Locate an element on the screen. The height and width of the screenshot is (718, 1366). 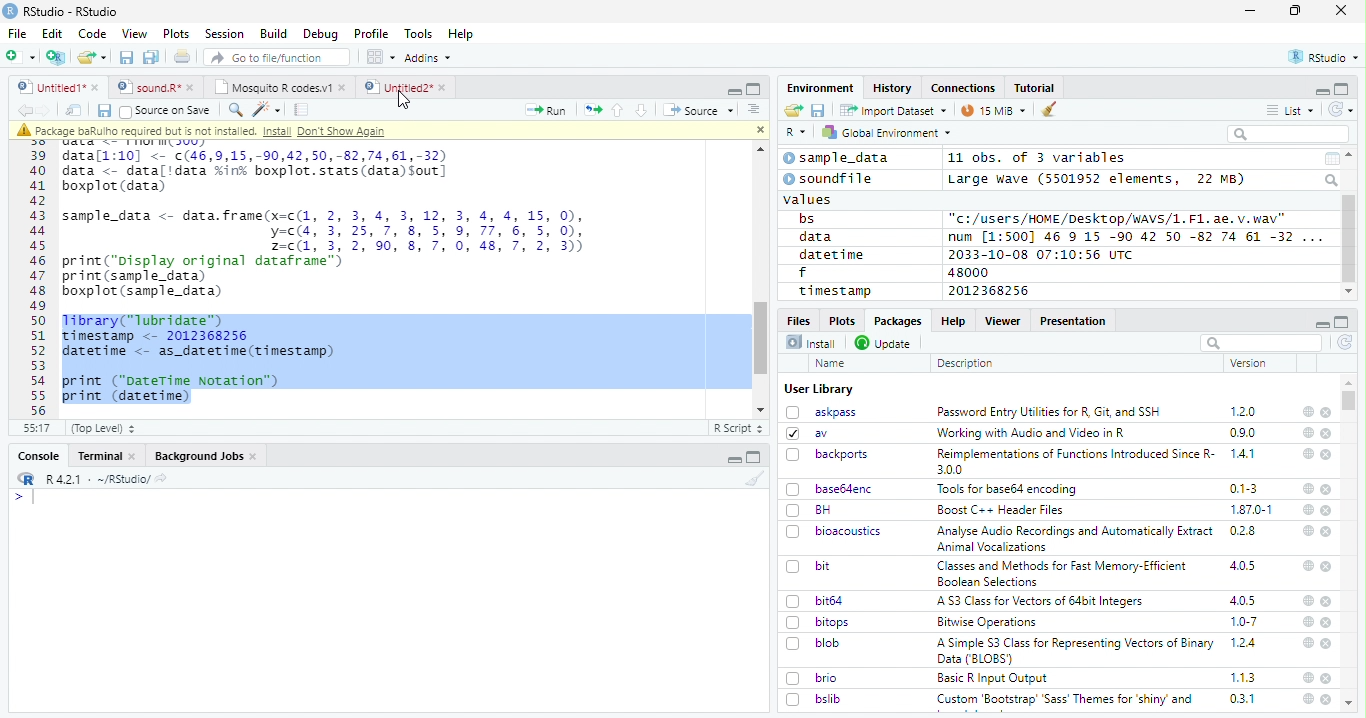
1.2.4 is located at coordinates (1245, 642).